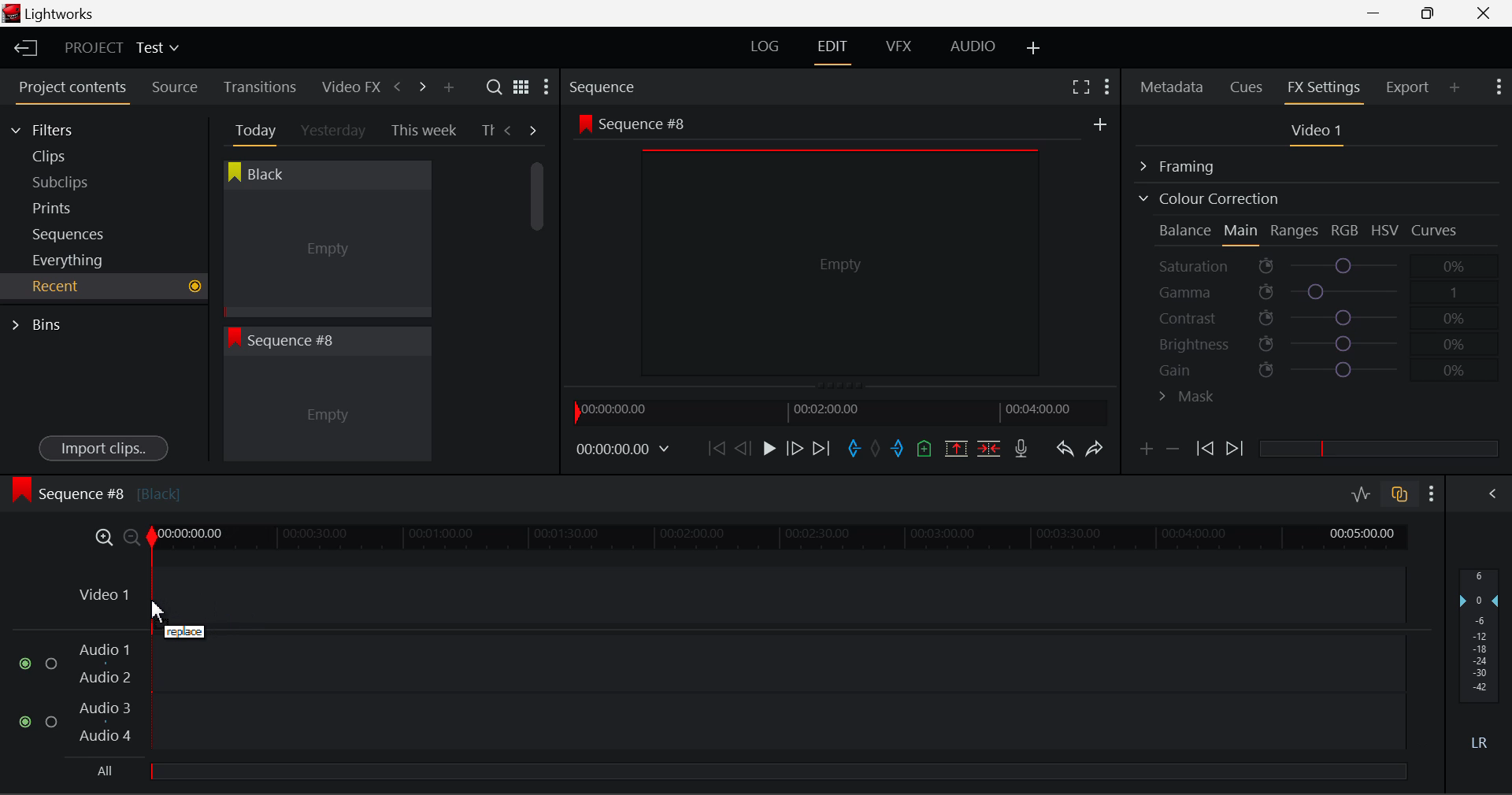 The width and height of the screenshot is (1512, 795). I want to click on Go Forward, so click(795, 448).